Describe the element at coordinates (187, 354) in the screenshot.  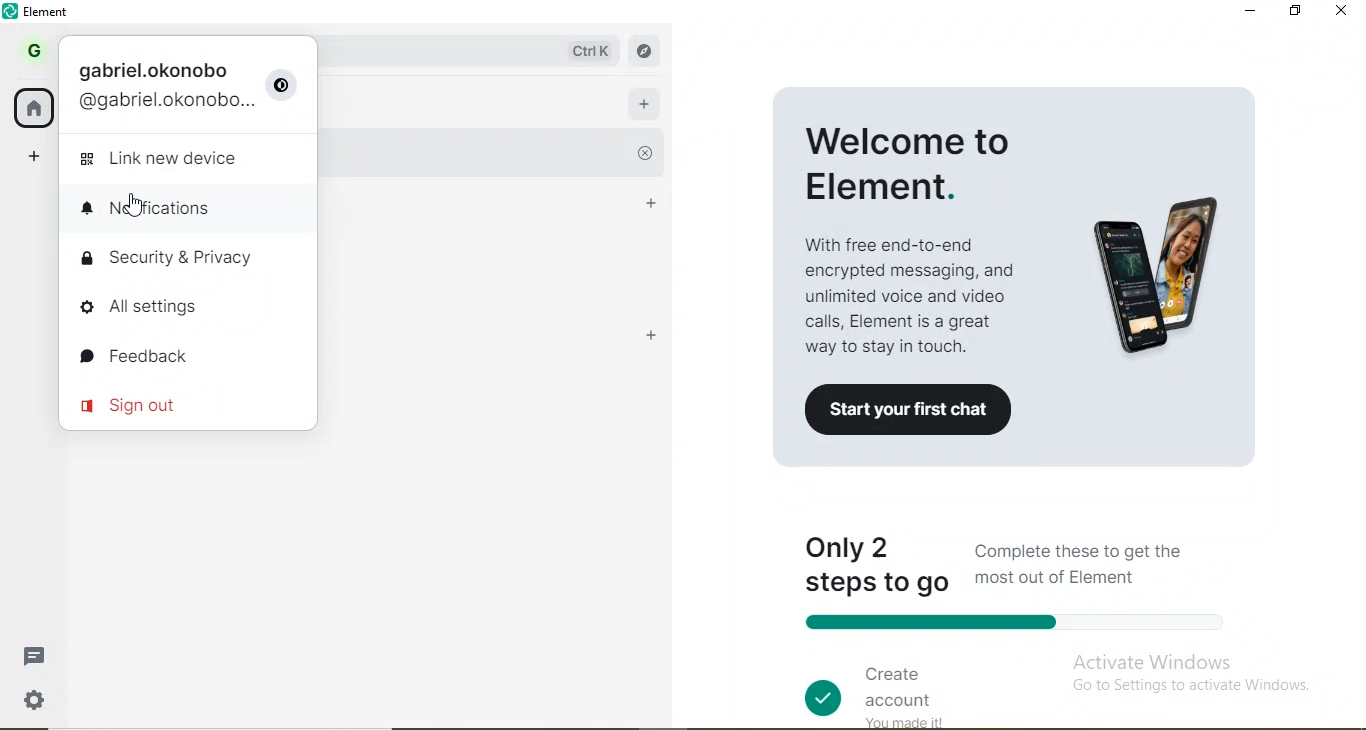
I see `feedback` at that location.